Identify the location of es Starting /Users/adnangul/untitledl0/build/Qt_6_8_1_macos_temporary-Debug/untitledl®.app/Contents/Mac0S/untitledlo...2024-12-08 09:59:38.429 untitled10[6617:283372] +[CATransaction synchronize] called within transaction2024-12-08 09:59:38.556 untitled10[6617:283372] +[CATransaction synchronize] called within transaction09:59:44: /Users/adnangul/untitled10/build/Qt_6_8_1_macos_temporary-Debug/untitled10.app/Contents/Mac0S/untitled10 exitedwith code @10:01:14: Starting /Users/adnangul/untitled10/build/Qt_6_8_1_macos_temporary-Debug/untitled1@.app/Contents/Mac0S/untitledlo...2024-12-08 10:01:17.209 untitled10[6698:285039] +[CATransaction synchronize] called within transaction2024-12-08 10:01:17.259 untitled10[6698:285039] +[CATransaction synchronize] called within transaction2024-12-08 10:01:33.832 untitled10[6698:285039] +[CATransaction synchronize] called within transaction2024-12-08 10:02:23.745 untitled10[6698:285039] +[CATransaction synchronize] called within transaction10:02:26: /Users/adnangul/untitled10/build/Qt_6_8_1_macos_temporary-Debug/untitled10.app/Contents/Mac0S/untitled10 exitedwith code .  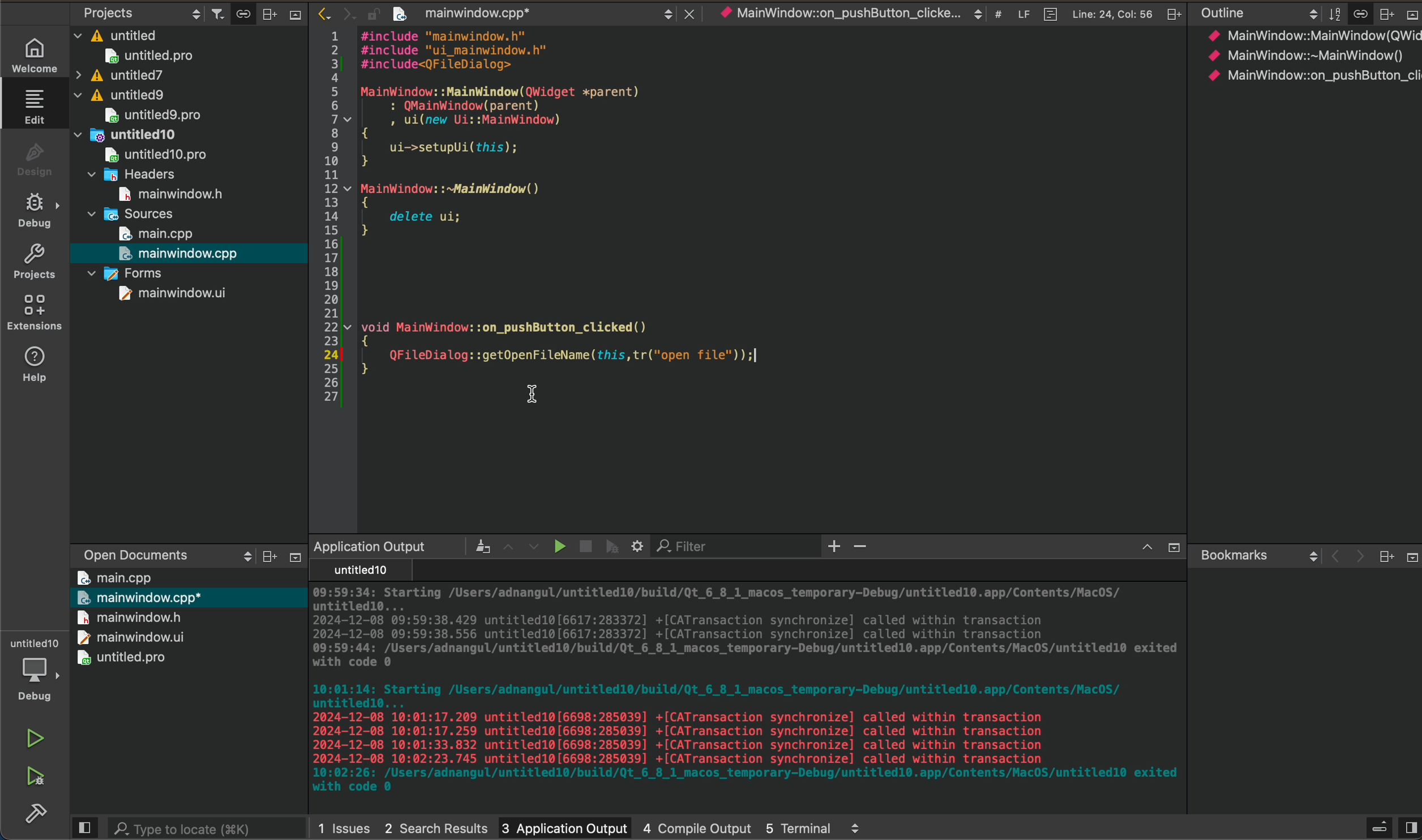
(740, 693).